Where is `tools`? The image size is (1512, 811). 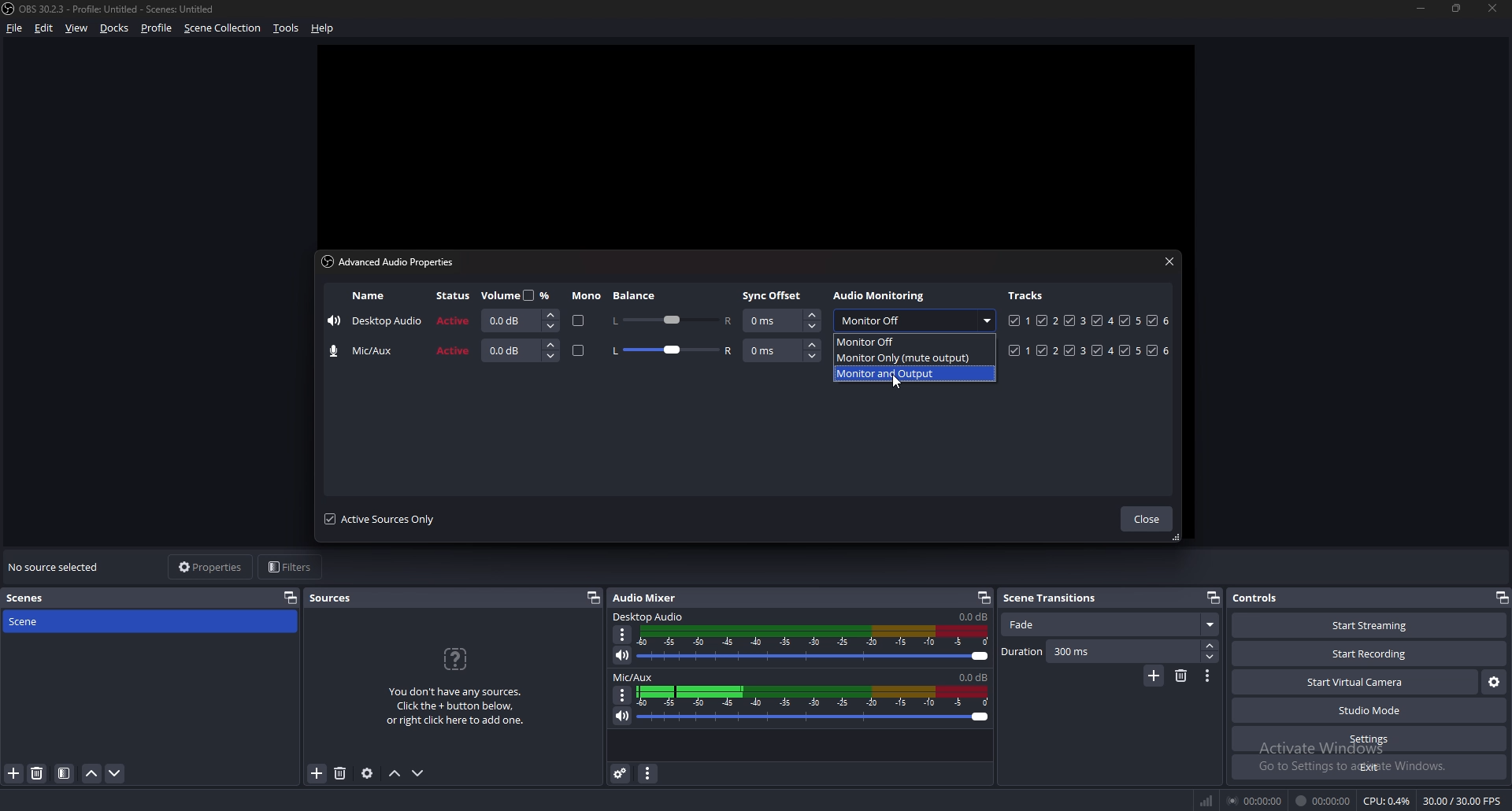 tools is located at coordinates (285, 29).